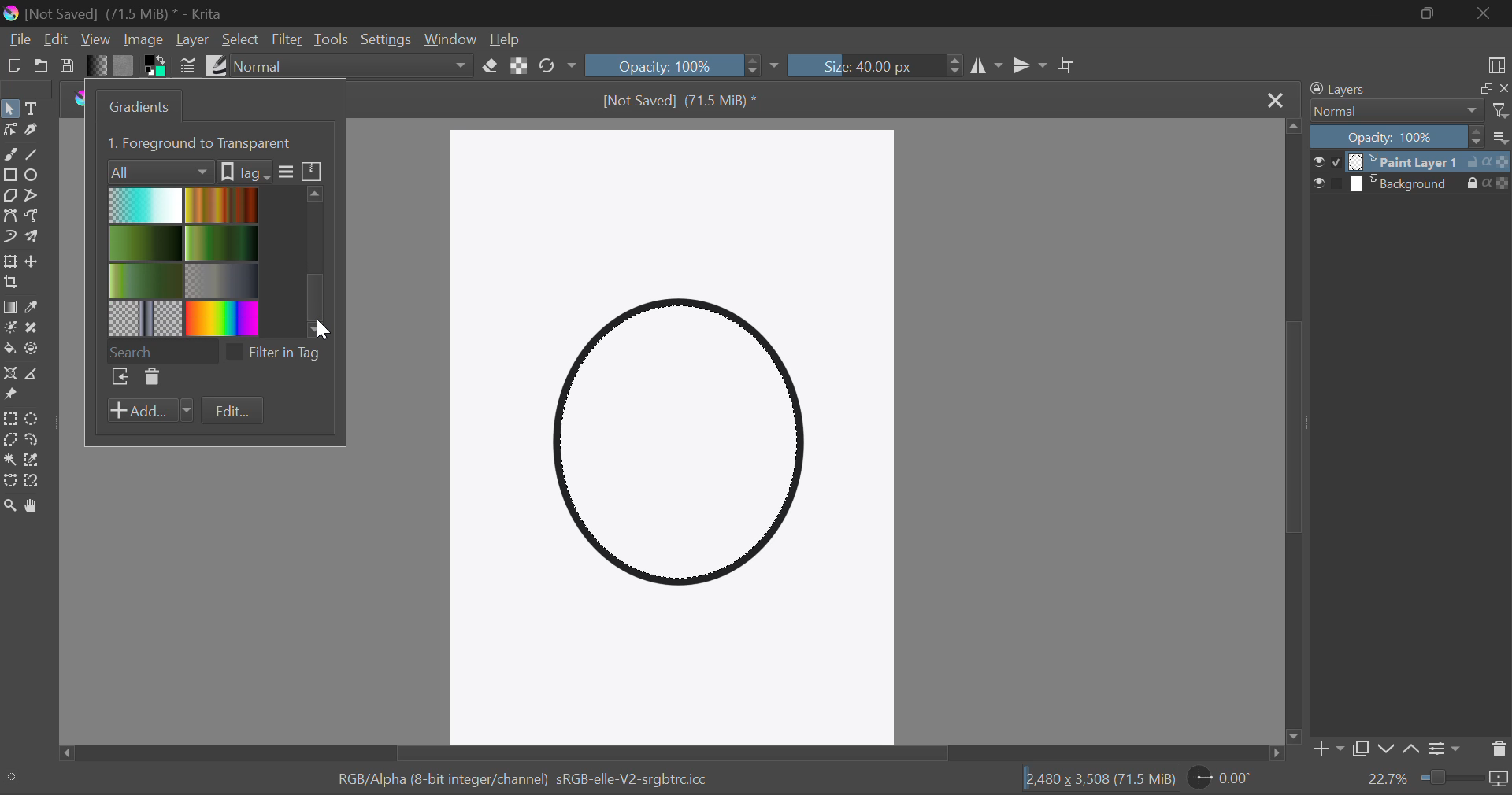 This screenshot has width=1512, height=795. Describe the element at coordinates (776, 67) in the screenshot. I see `dropdown` at that location.